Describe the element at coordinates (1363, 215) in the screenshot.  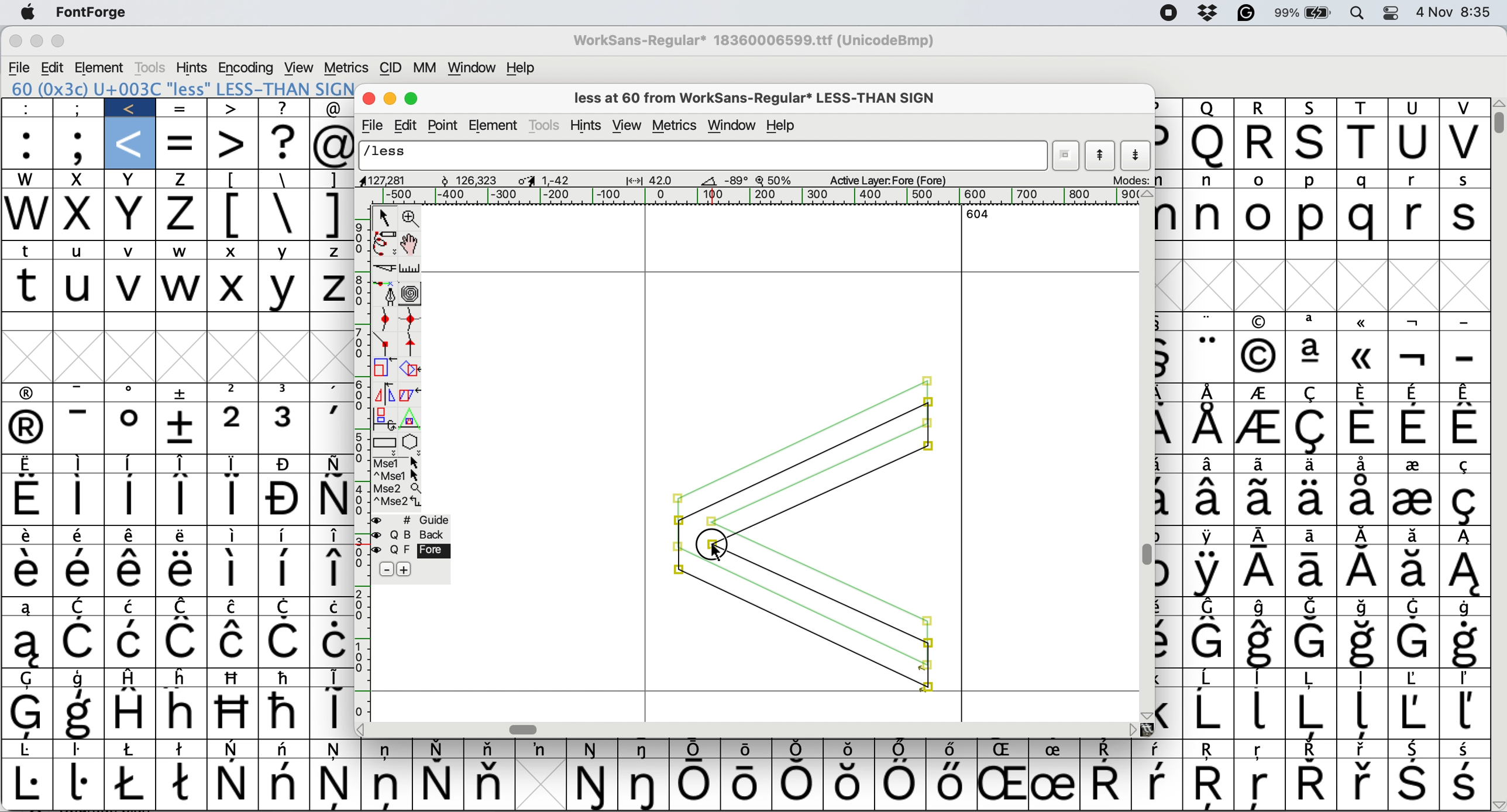
I see `q` at that location.